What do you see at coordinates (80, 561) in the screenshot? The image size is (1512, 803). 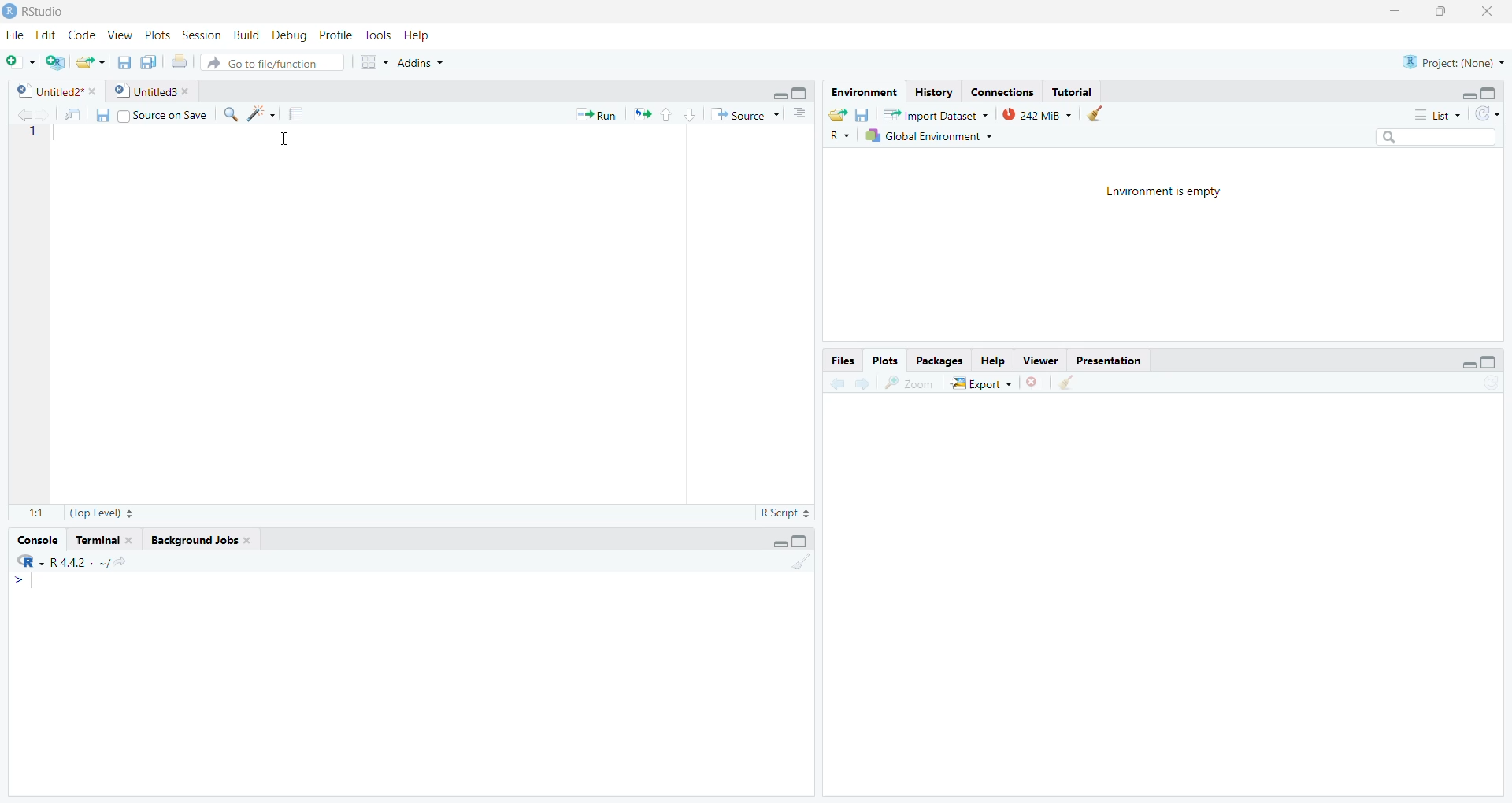 I see `R442 . ~/` at bounding box center [80, 561].